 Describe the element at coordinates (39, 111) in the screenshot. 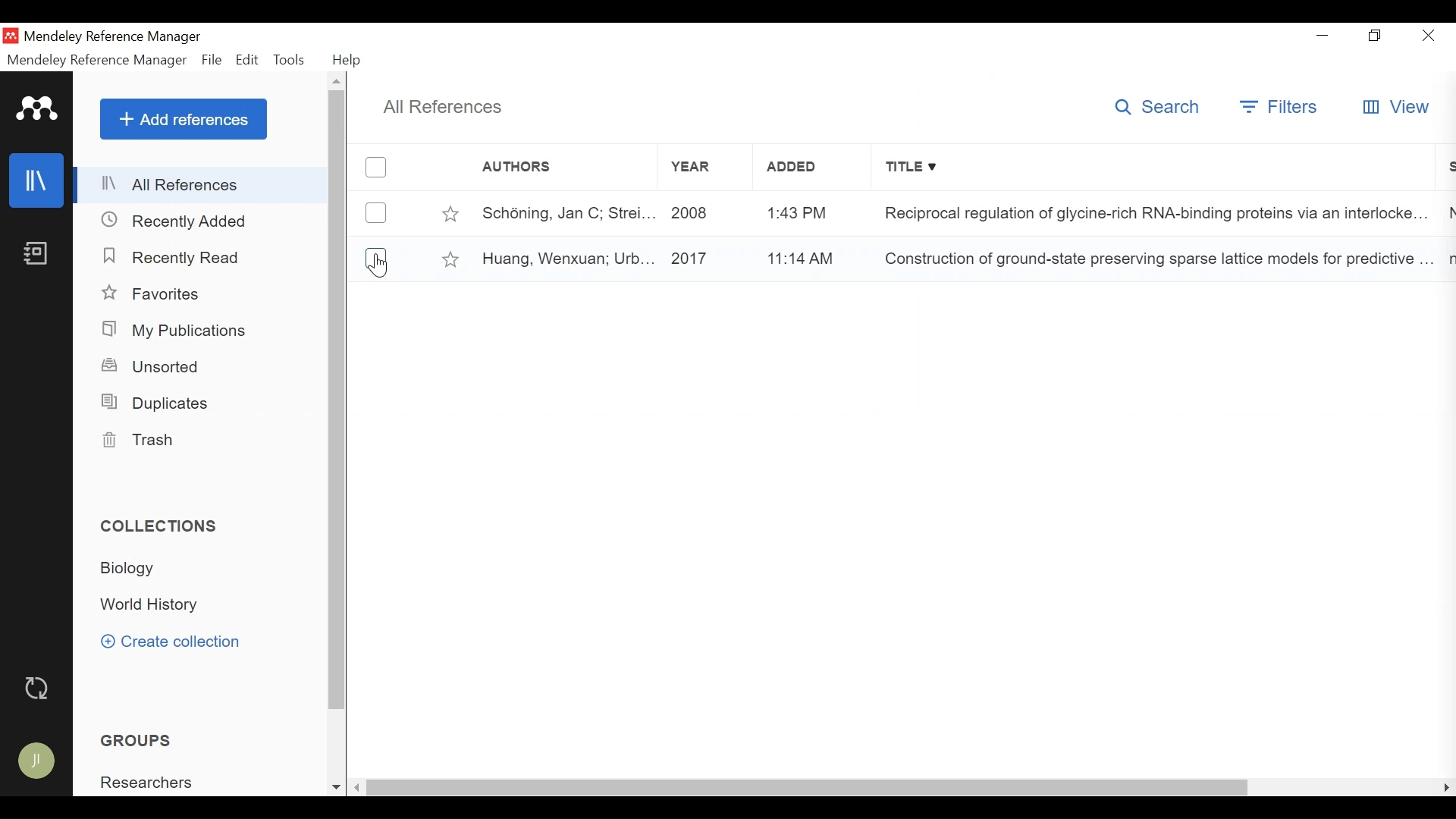

I see `Mendeley Logo` at that location.